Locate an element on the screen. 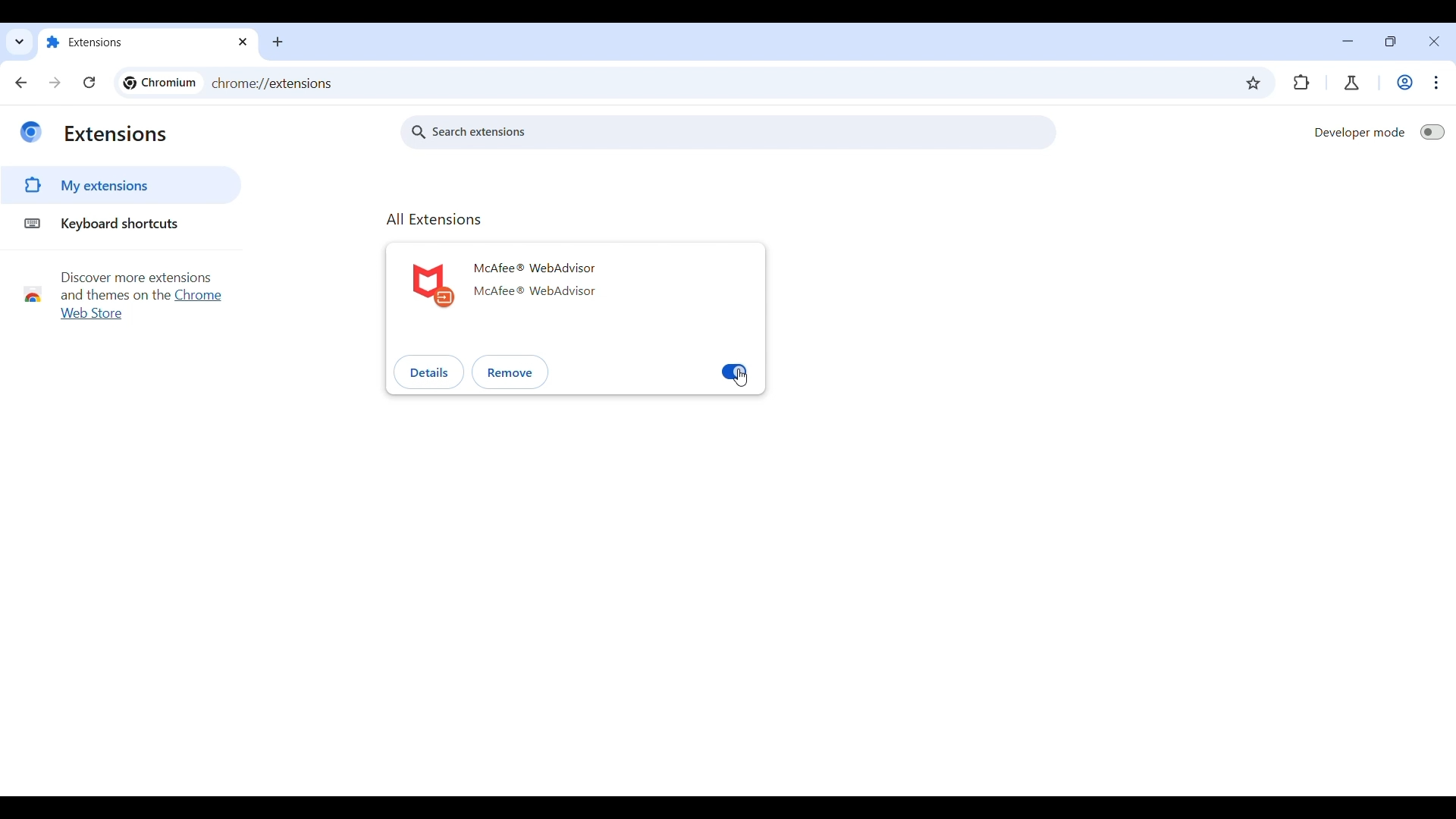 Image resolution: width=1456 pixels, height=819 pixels. Go back is located at coordinates (21, 82).